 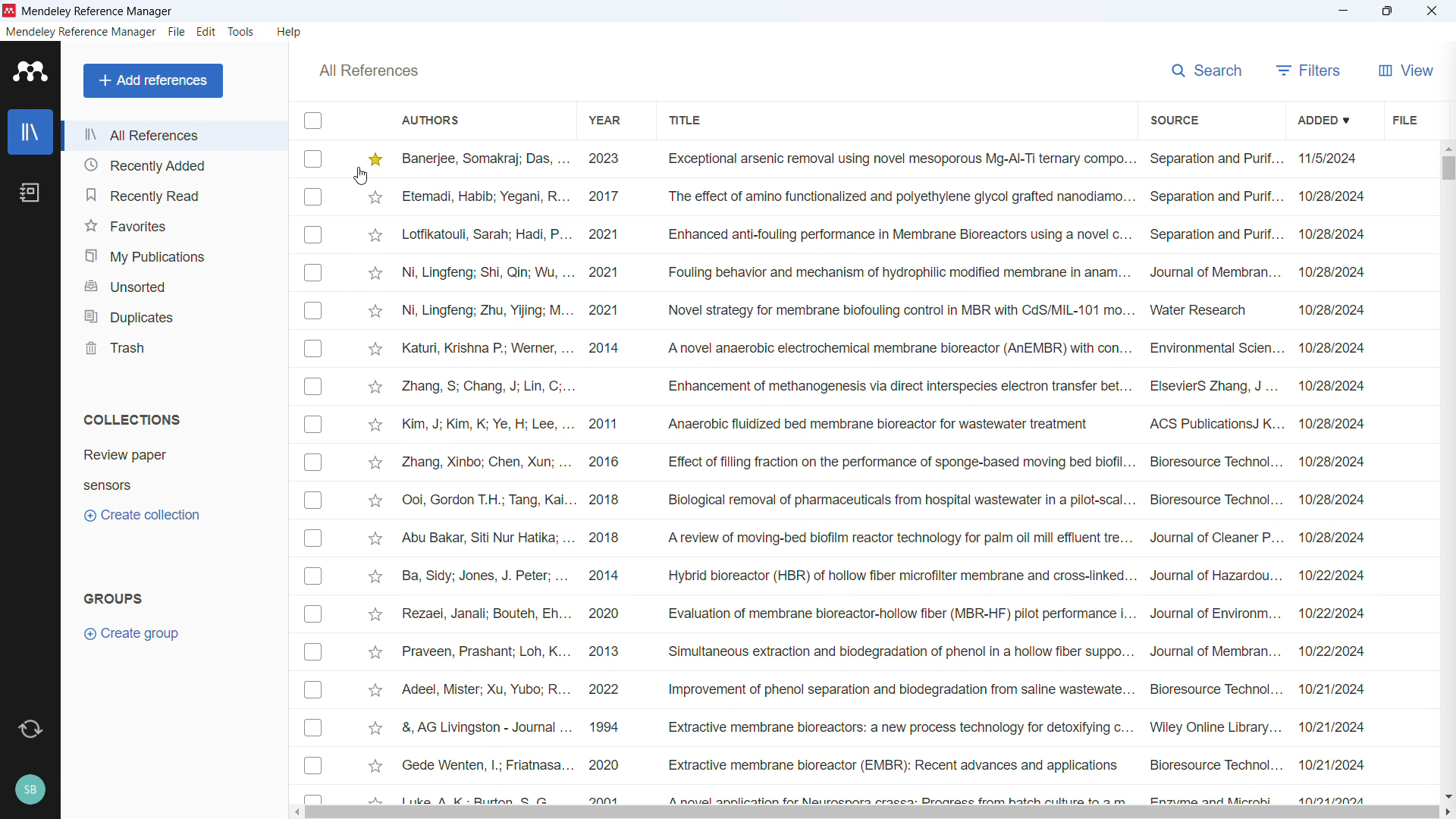 I want to click on search , so click(x=1207, y=71).